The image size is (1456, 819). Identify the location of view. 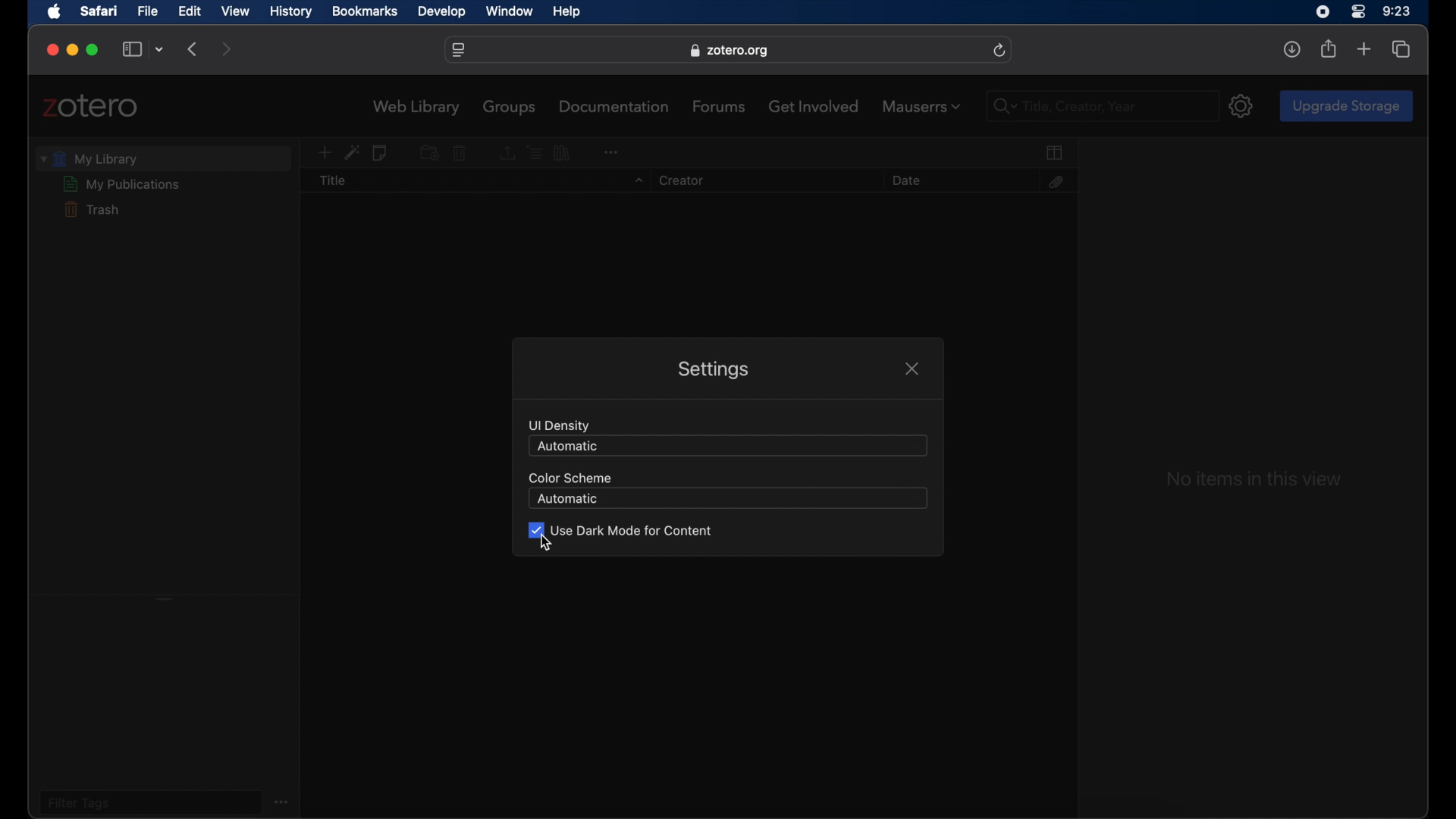
(236, 11).